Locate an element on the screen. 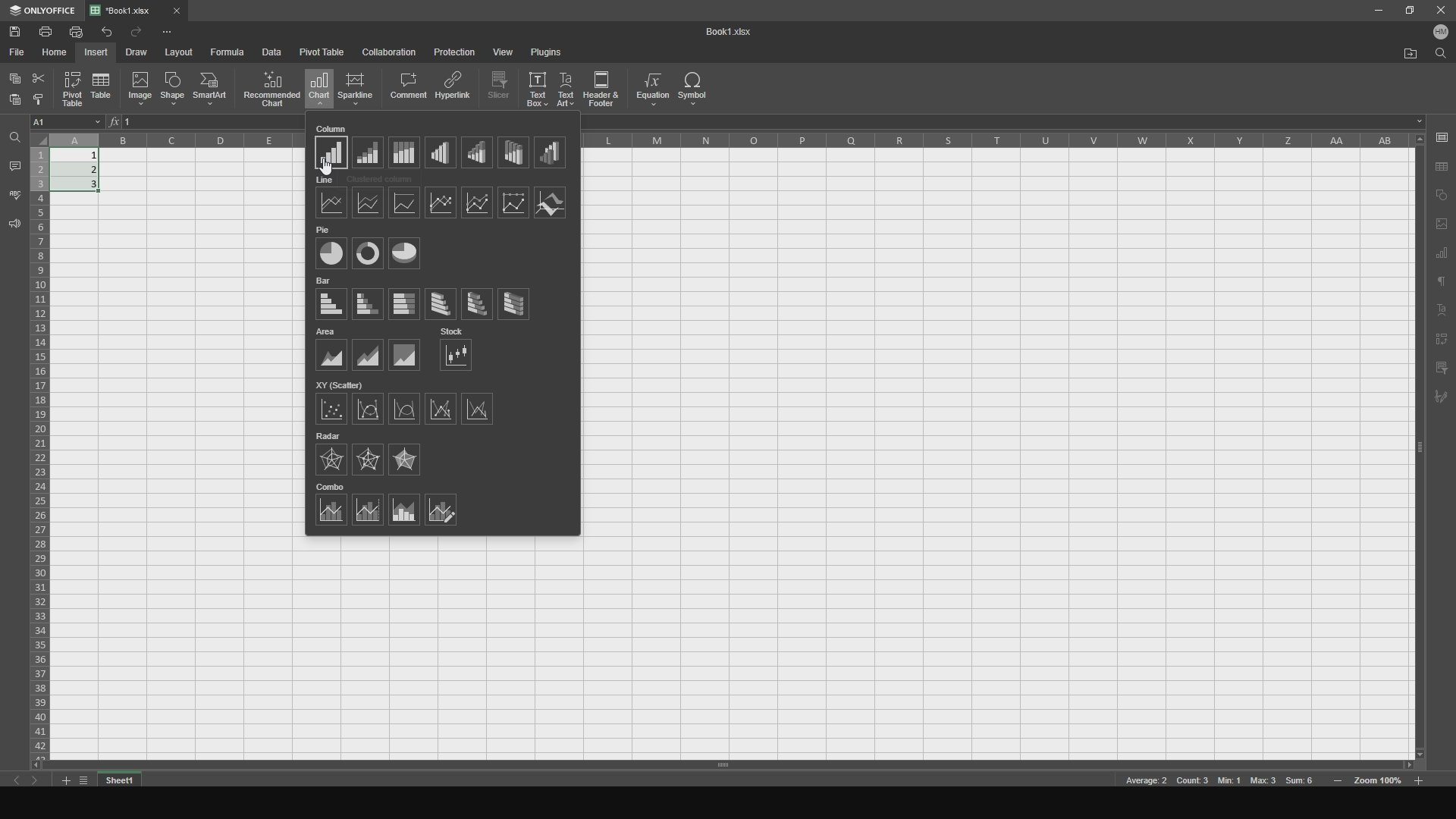  cell is located at coordinates (68, 121).